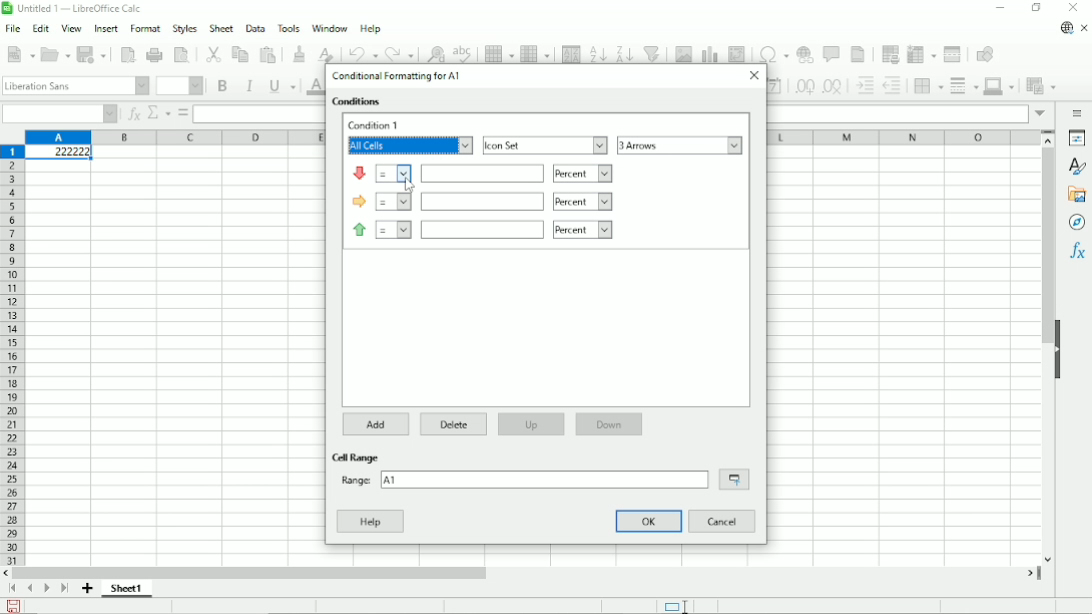 The image size is (1092, 614). I want to click on Sort ascending, so click(597, 51).